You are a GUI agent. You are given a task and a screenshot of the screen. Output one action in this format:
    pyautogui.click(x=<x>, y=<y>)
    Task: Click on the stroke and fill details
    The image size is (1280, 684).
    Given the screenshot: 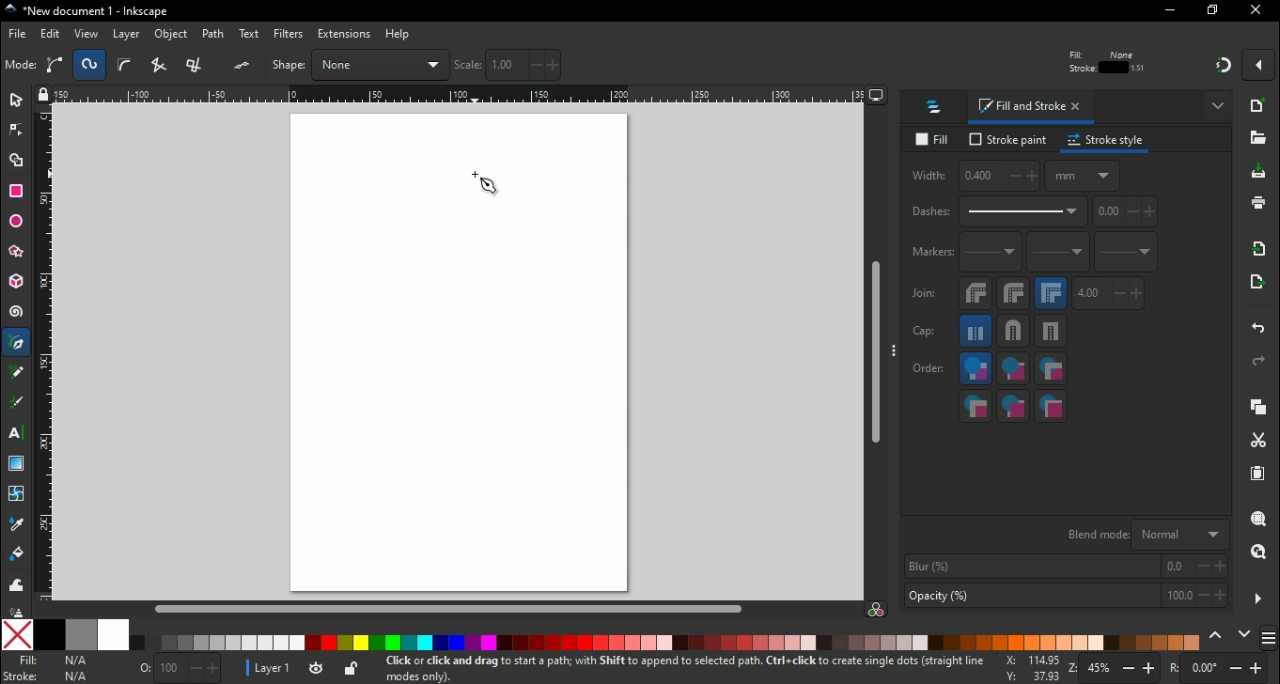 What is the action you would take?
    pyautogui.click(x=1106, y=61)
    